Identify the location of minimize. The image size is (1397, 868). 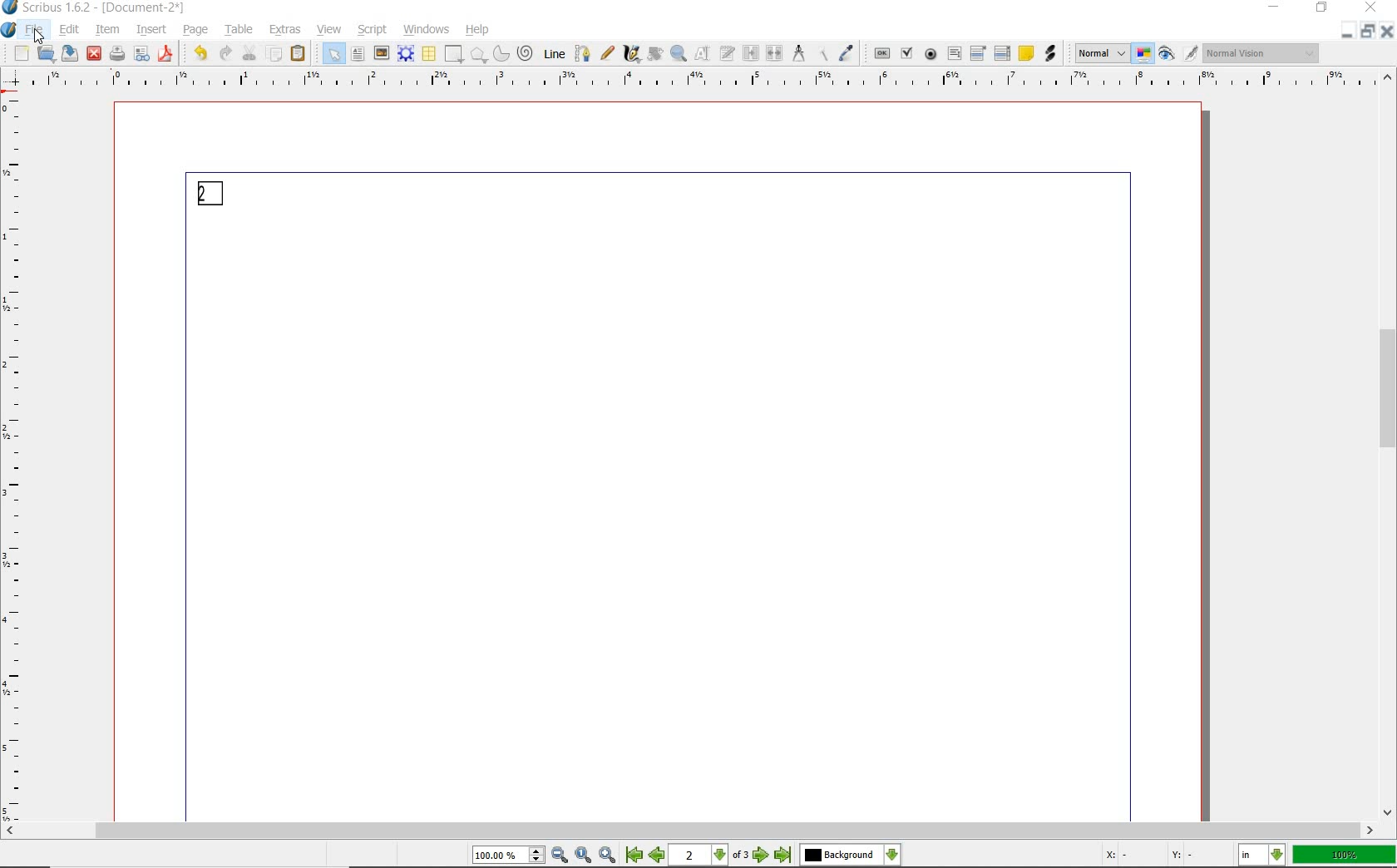
(1271, 7).